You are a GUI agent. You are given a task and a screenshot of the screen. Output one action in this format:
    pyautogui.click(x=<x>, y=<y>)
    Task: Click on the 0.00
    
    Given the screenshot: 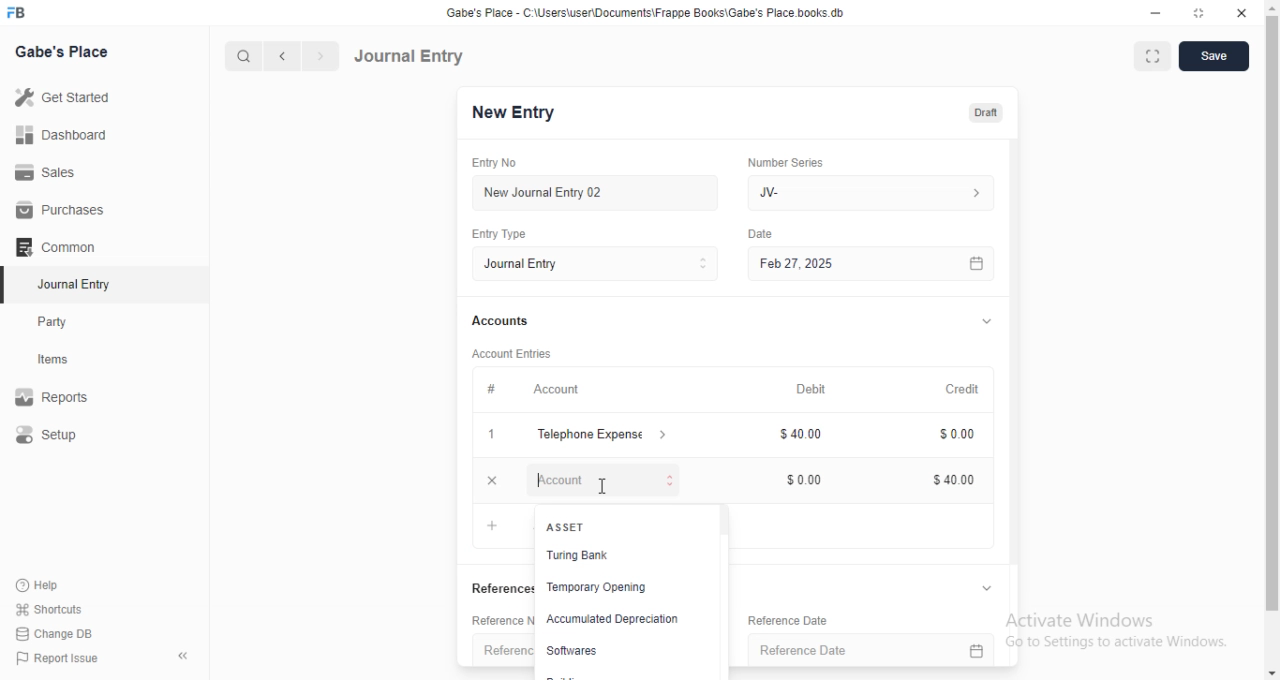 What is the action you would take?
    pyautogui.click(x=807, y=480)
    